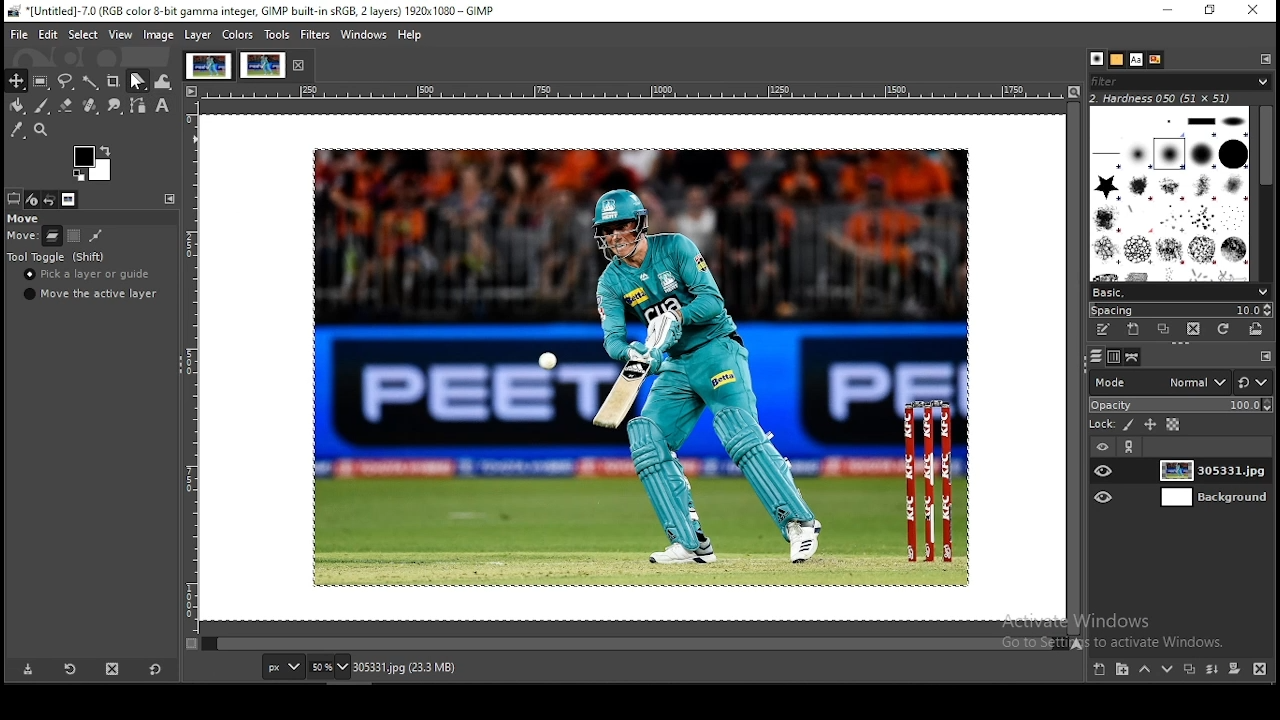 The image size is (1280, 720). What do you see at coordinates (49, 34) in the screenshot?
I see `edit` at bounding box center [49, 34].